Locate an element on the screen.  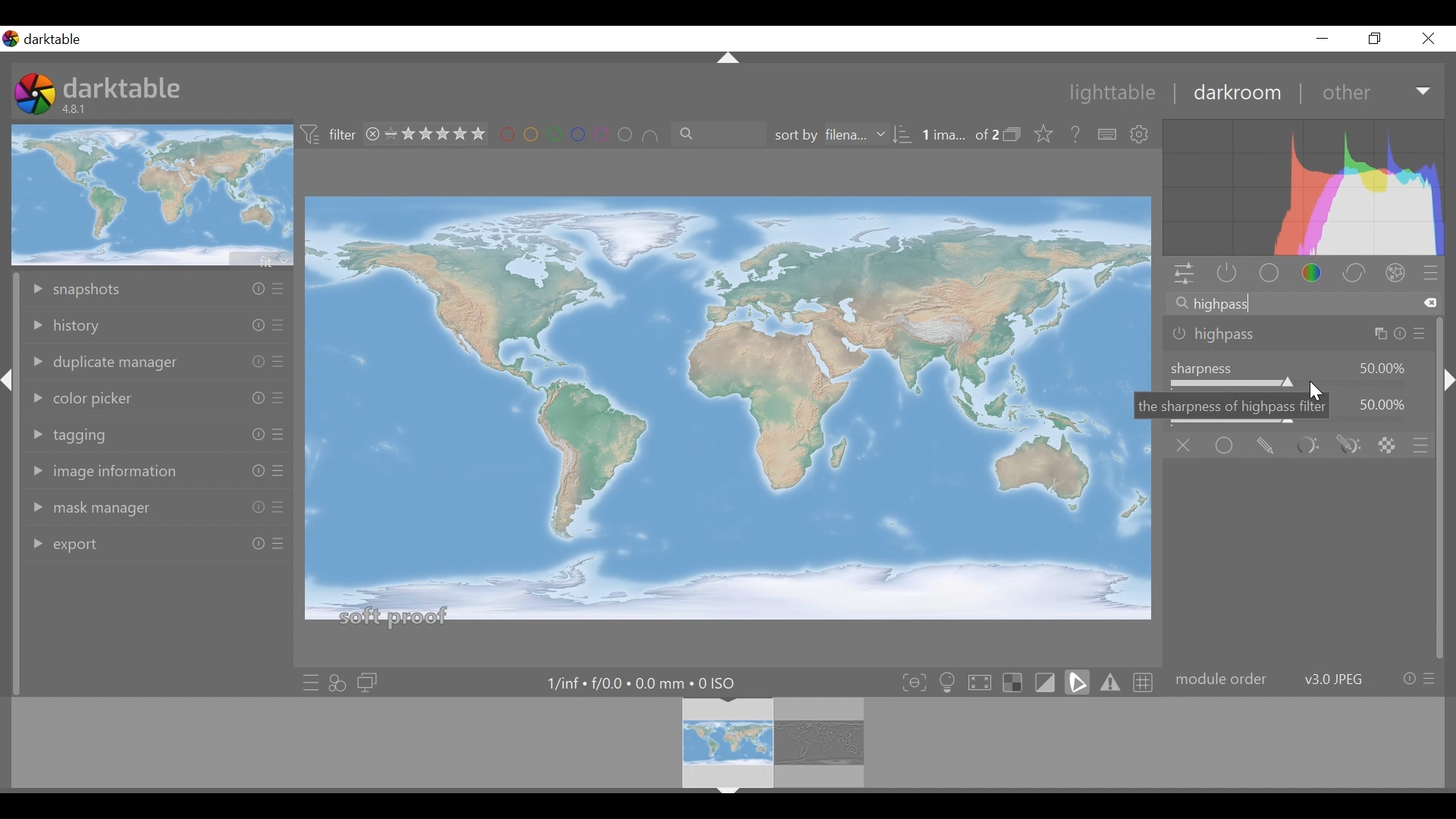
Maximum Exposure is located at coordinates (639, 682).